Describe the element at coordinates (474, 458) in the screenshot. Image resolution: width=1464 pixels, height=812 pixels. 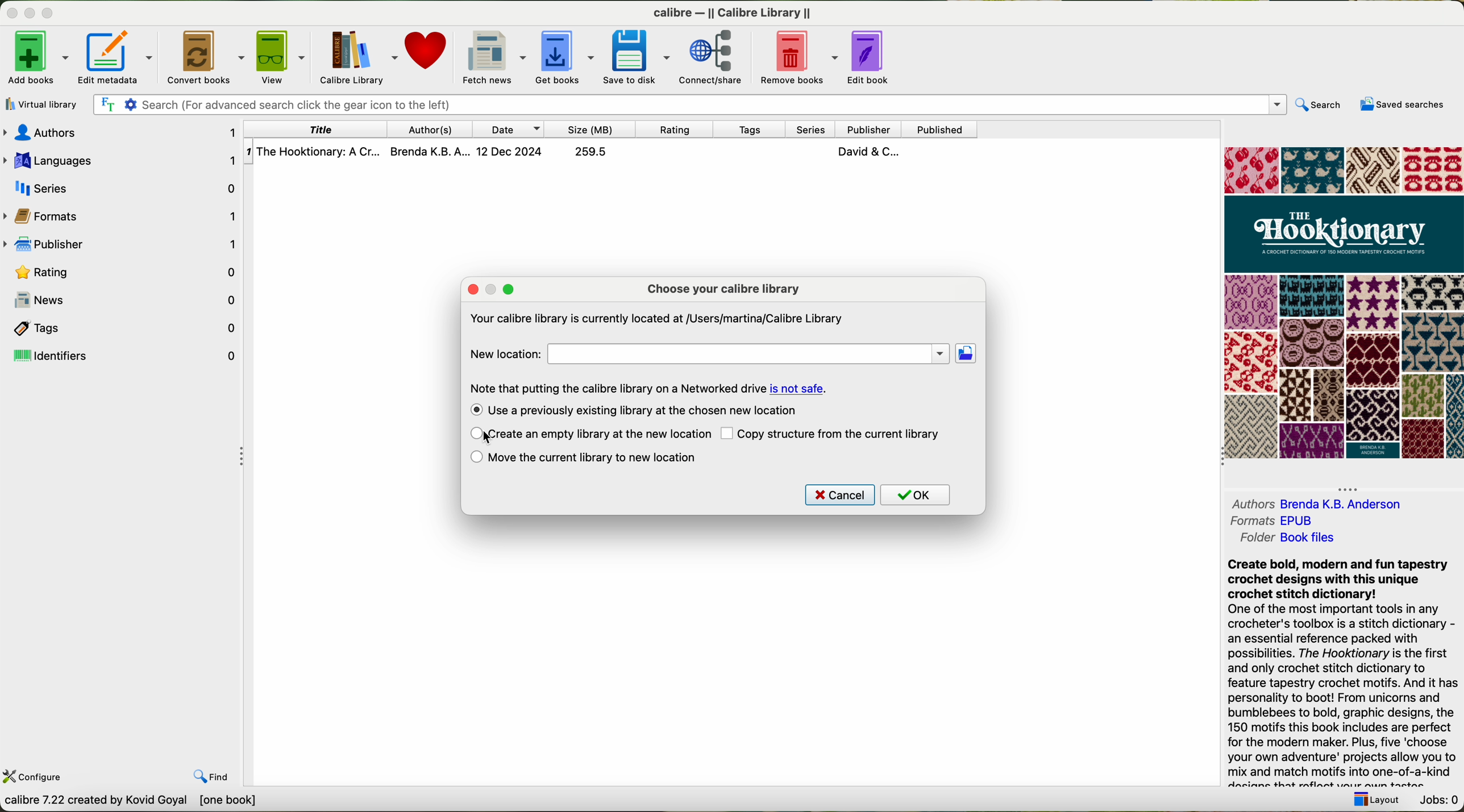
I see `checkbox` at that location.